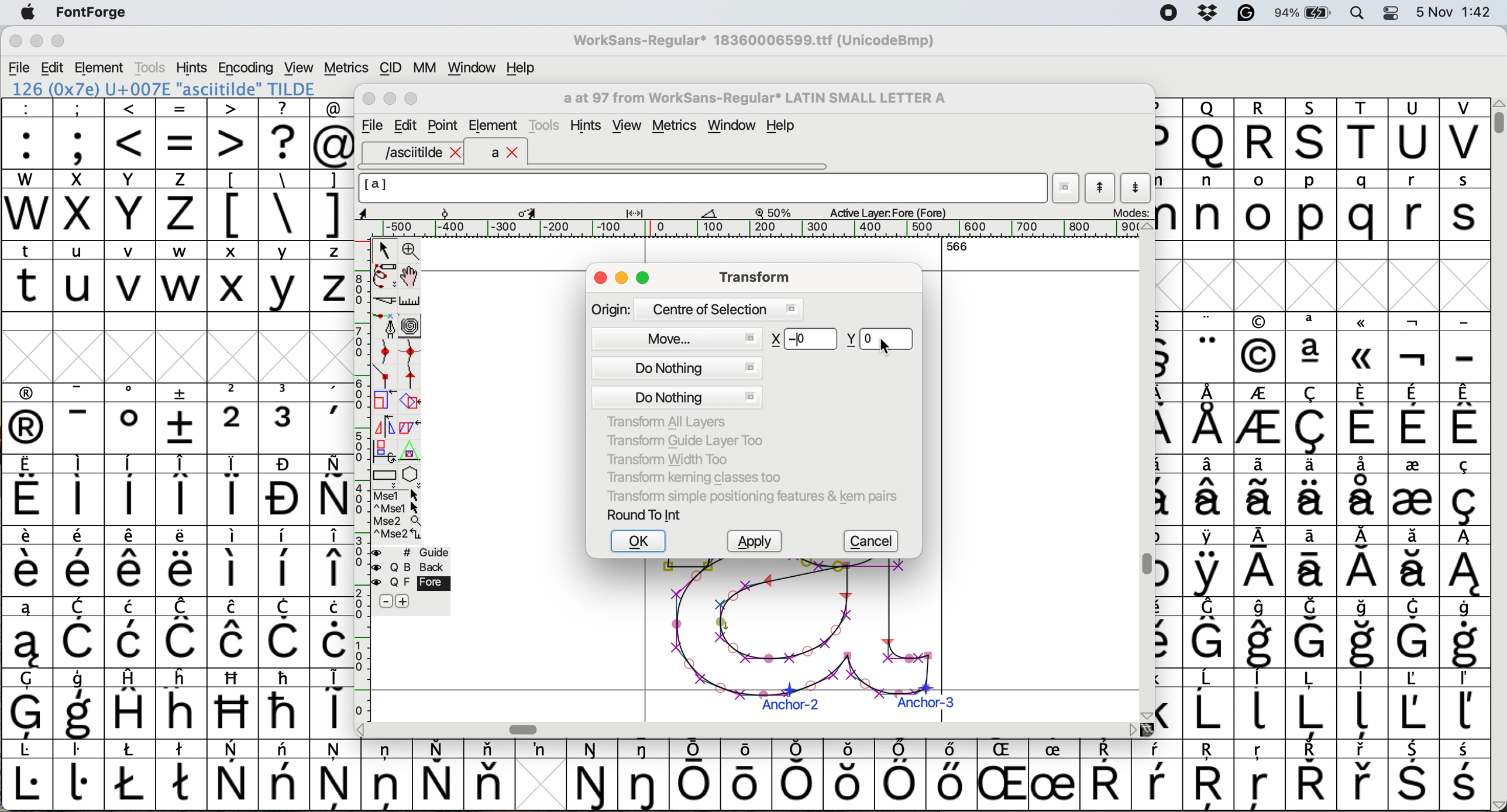 The width and height of the screenshot is (1507, 812). What do you see at coordinates (900, 775) in the screenshot?
I see `symbol` at bounding box center [900, 775].